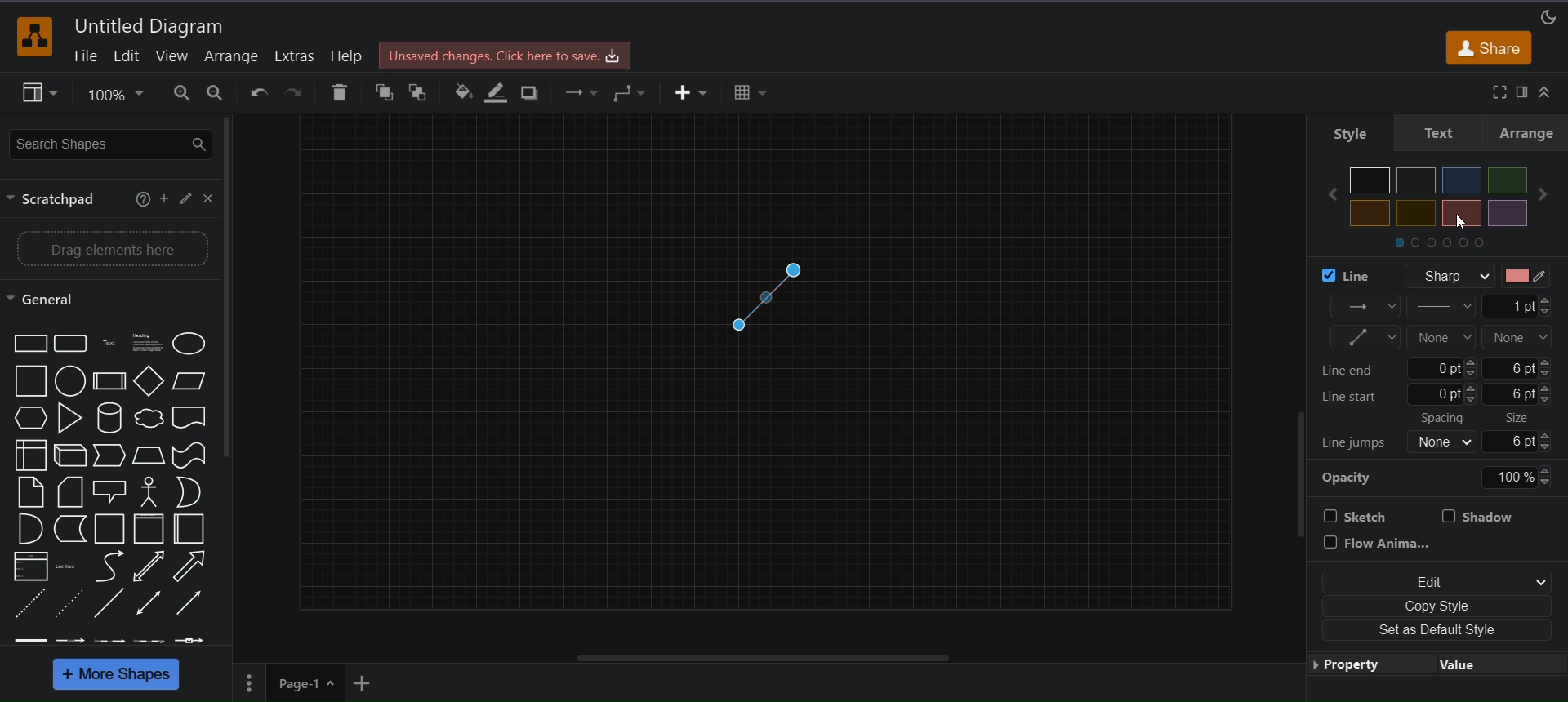 Image resolution: width=1568 pixels, height=702 pixels. What do you see at coordinates (767, 658) in the screenshot?
I see `horizontal scroll bar` at bounding box center [767, 658].